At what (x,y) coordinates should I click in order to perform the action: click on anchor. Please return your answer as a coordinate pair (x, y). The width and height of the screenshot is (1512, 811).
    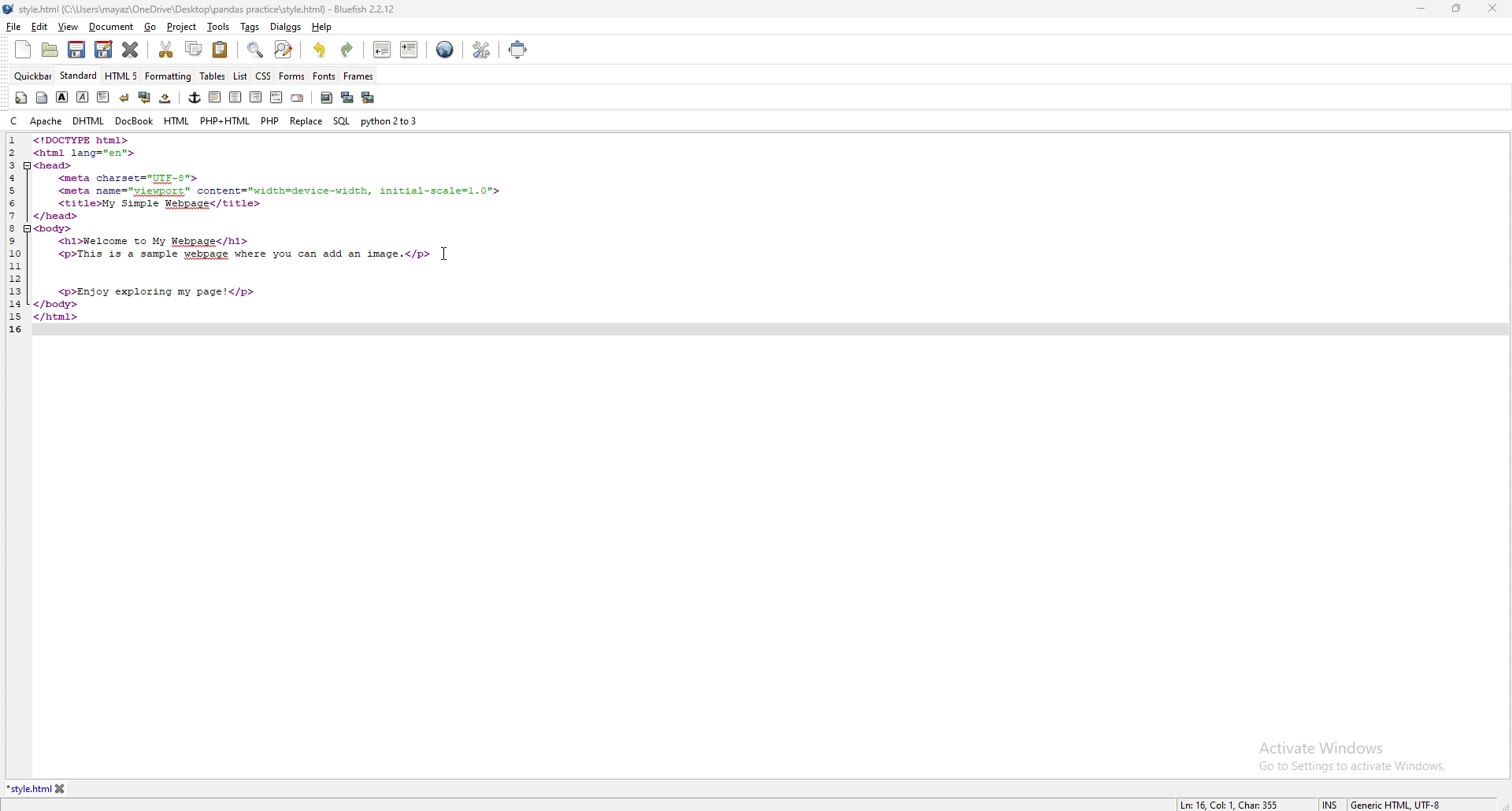
    Looking at the image, I should click on (195, 98).